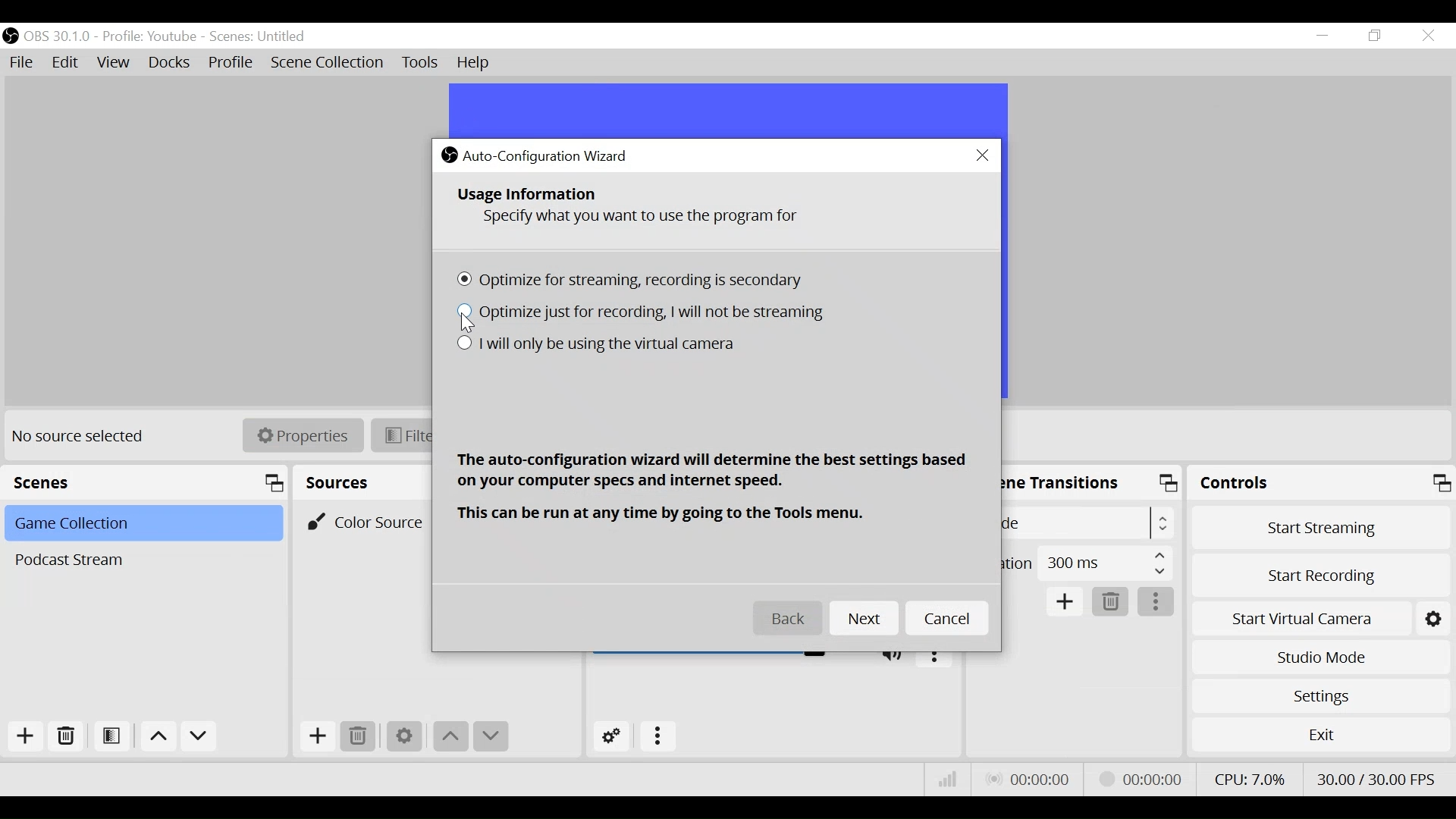  What do you see at coordinates (326, 63) in the screenshot?
I see `Scene Collection` at bounding box center [326, 63].